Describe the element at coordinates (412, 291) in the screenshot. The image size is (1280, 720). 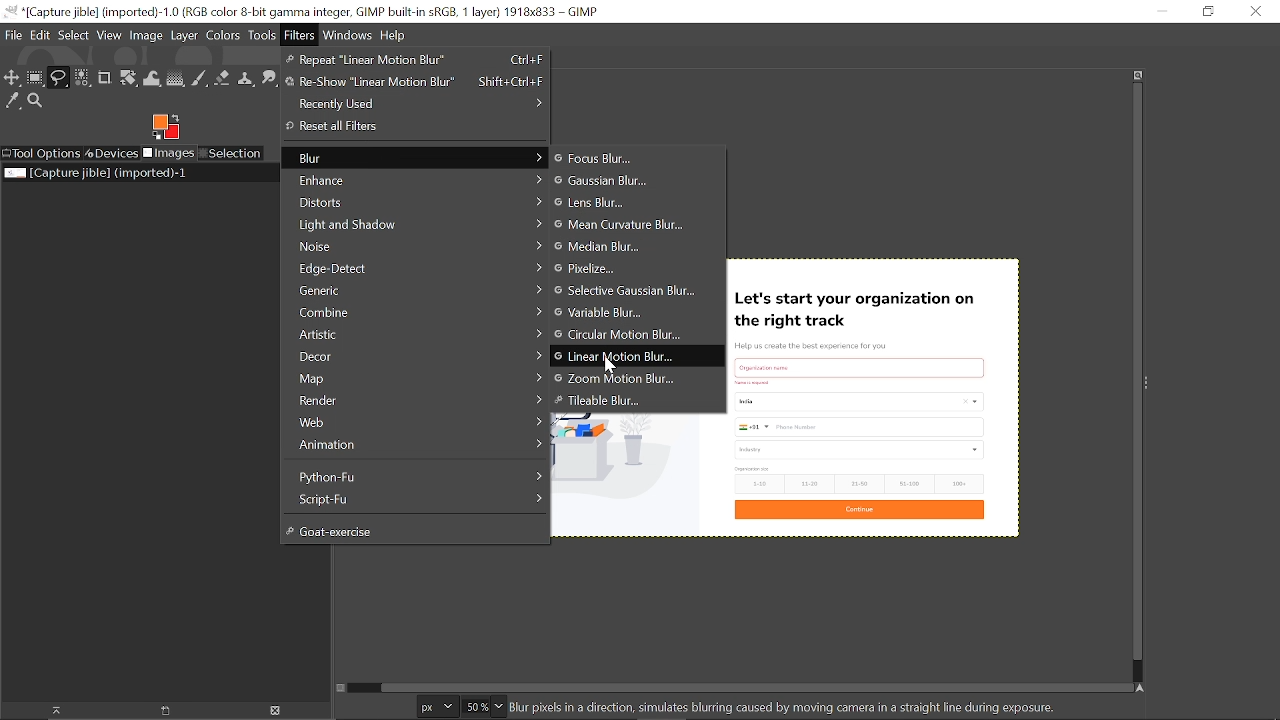
I see `Generic` at that location.